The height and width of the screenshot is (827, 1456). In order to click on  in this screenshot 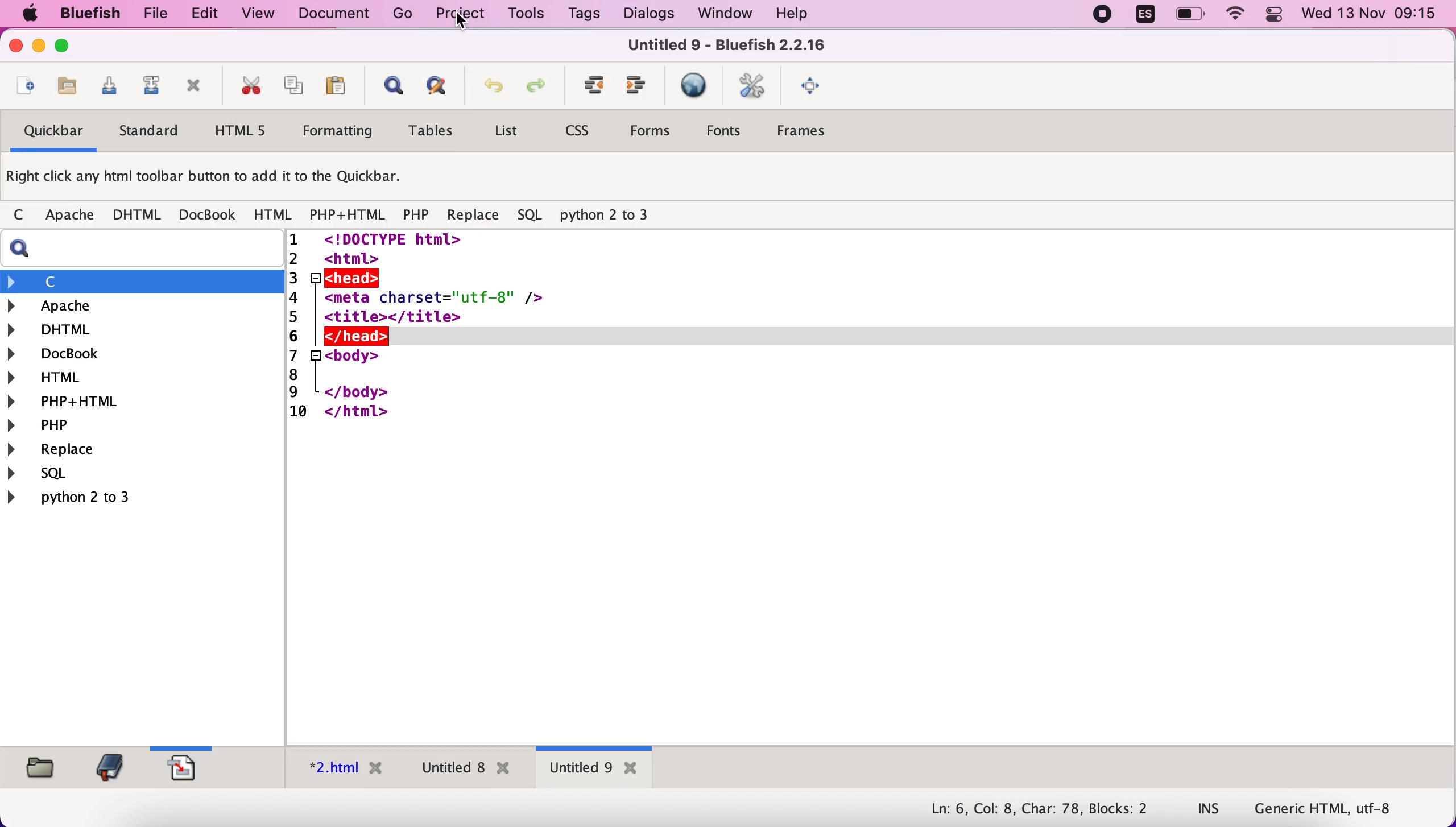, I will do `click(190, 86)`.